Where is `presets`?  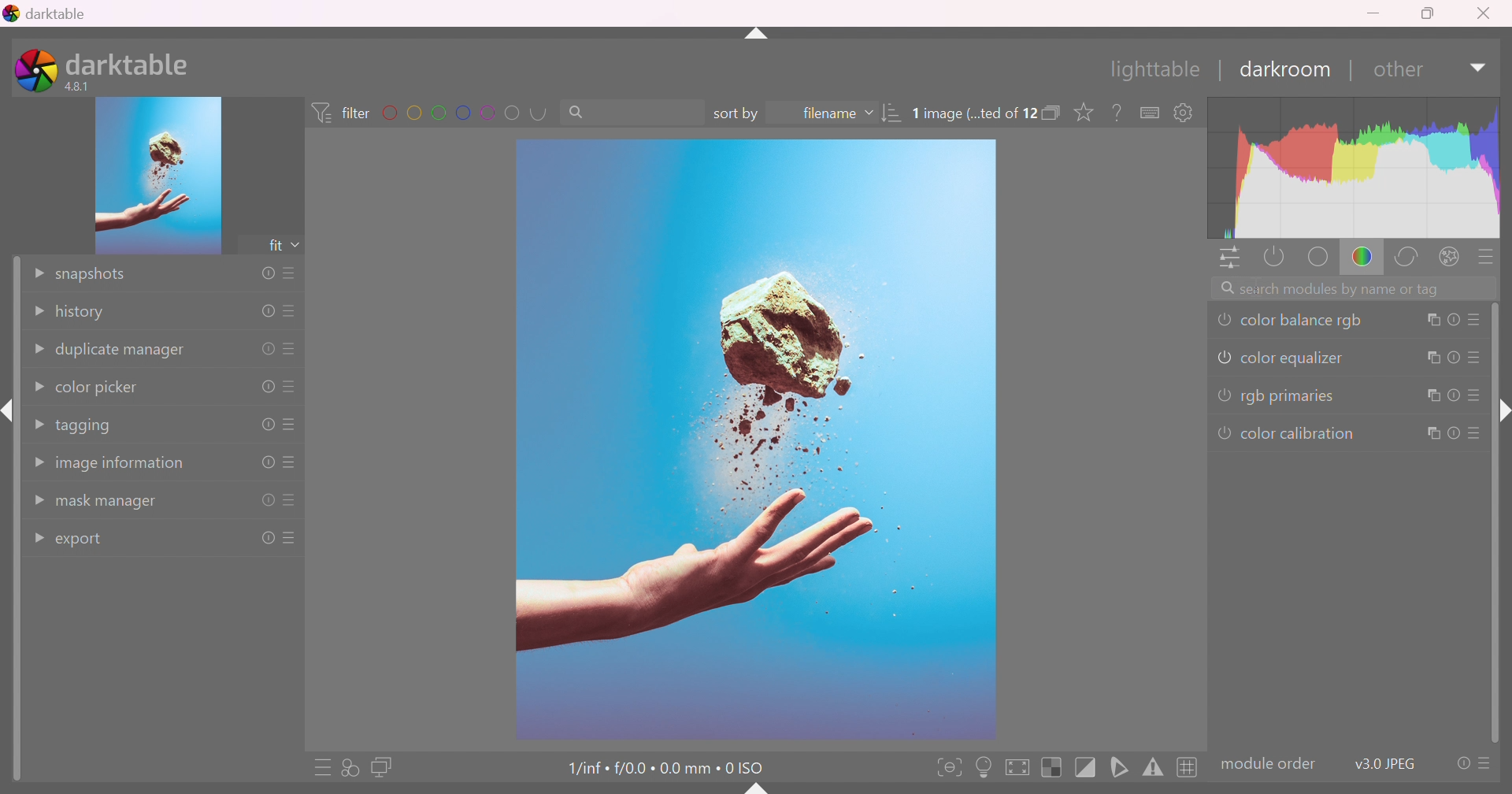
presets is located at coordinates (294, 386).